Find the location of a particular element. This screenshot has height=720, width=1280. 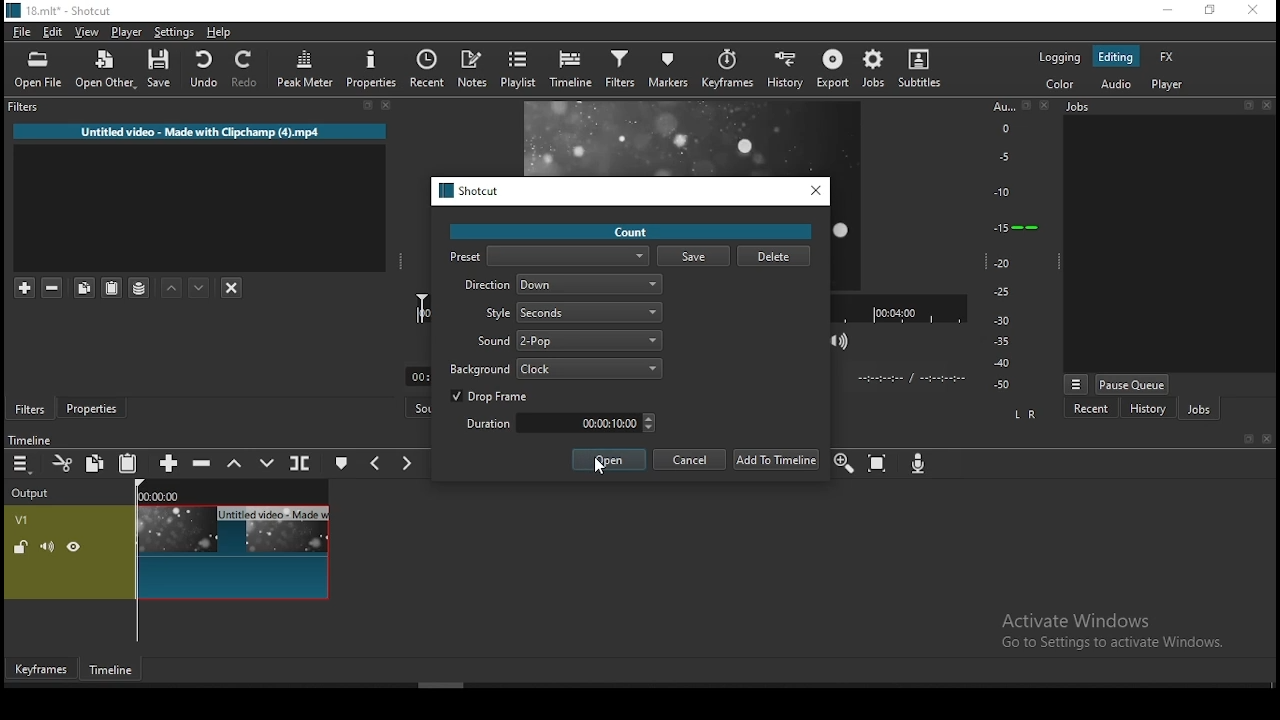

close window is located at coordinates (818, 191).